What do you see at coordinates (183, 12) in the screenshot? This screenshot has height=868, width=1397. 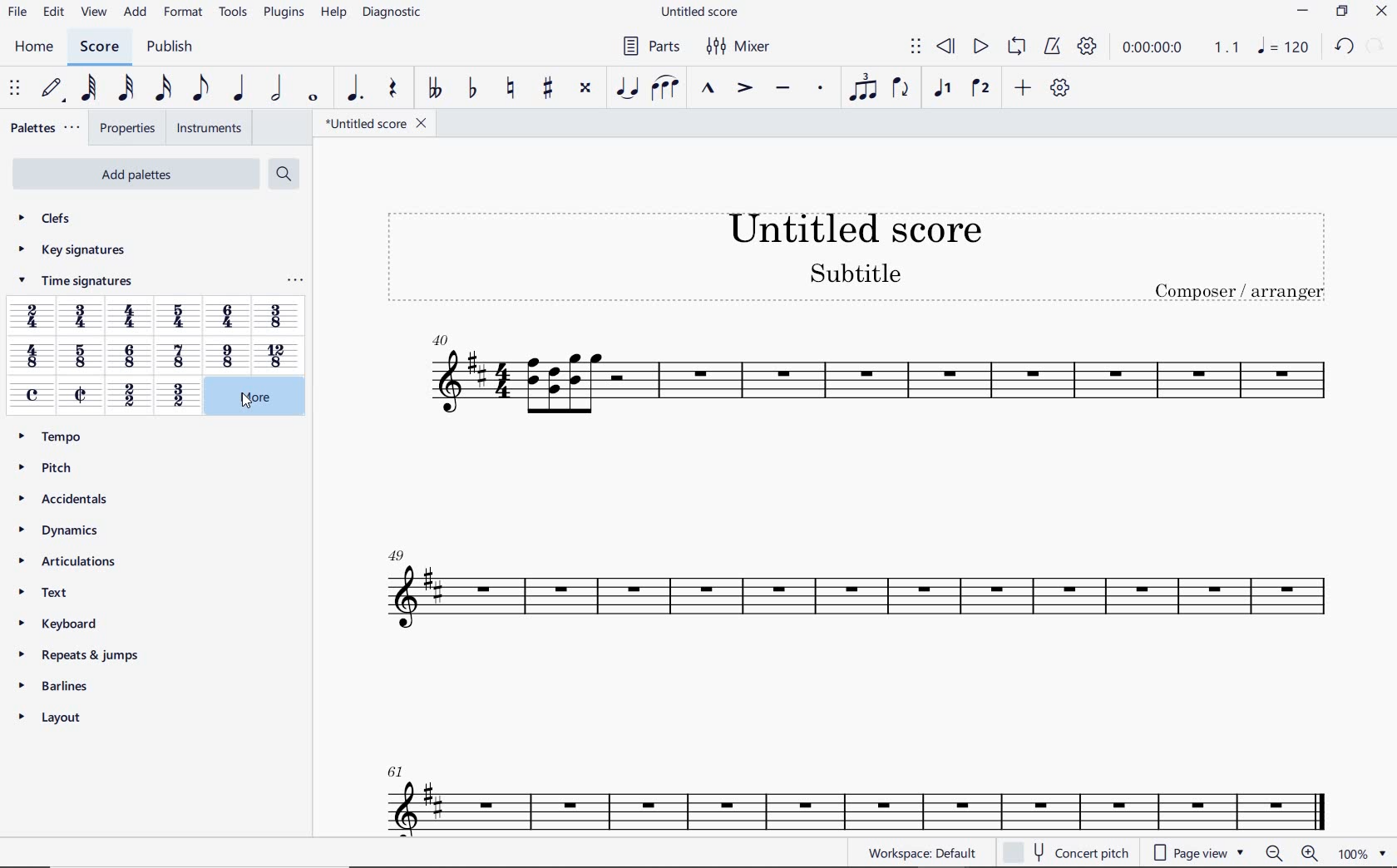 I see `FORMAT` at bounding box center [183, 12].